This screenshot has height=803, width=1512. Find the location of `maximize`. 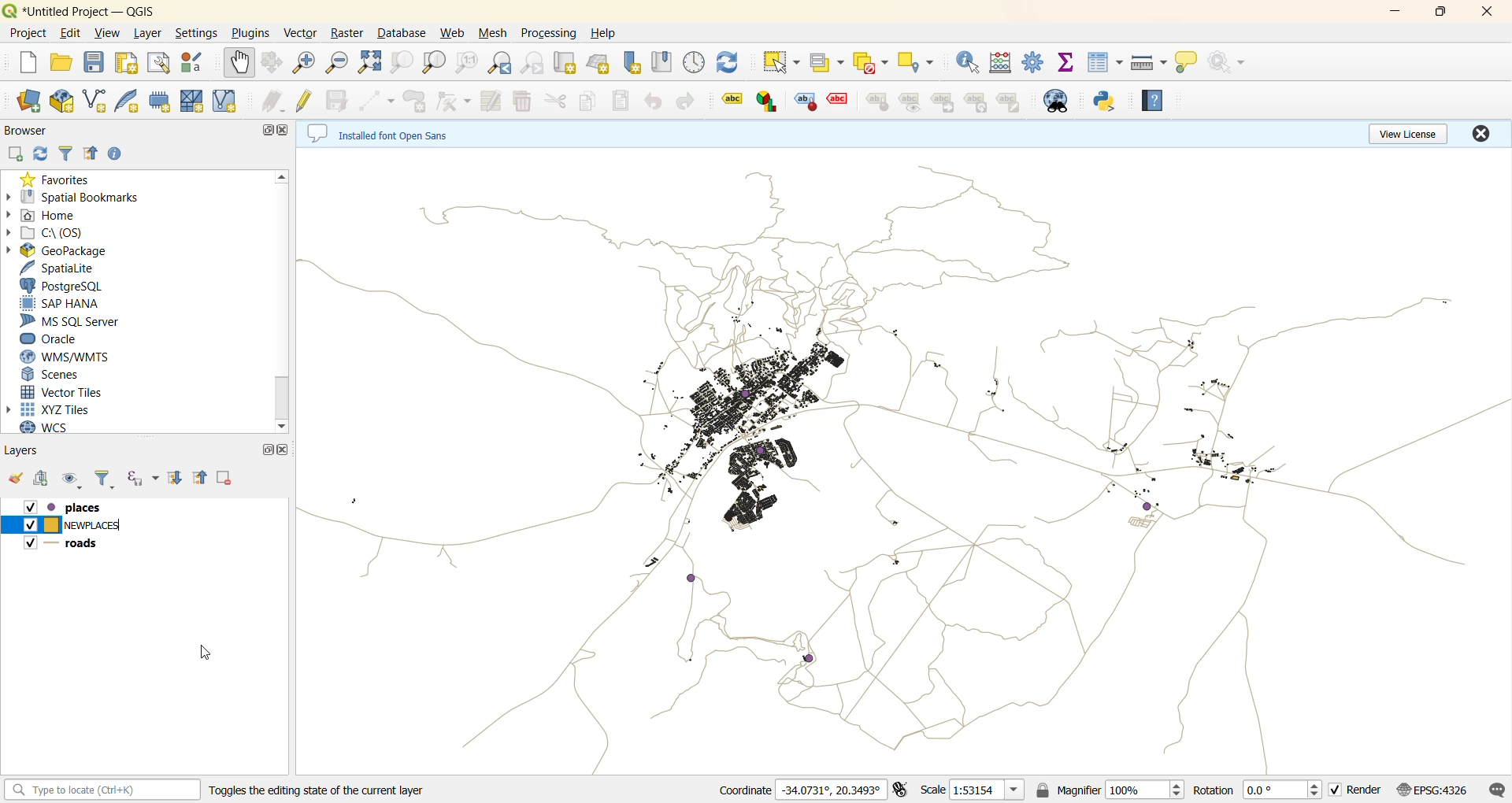

maximize is located at coordinates (265, 131).